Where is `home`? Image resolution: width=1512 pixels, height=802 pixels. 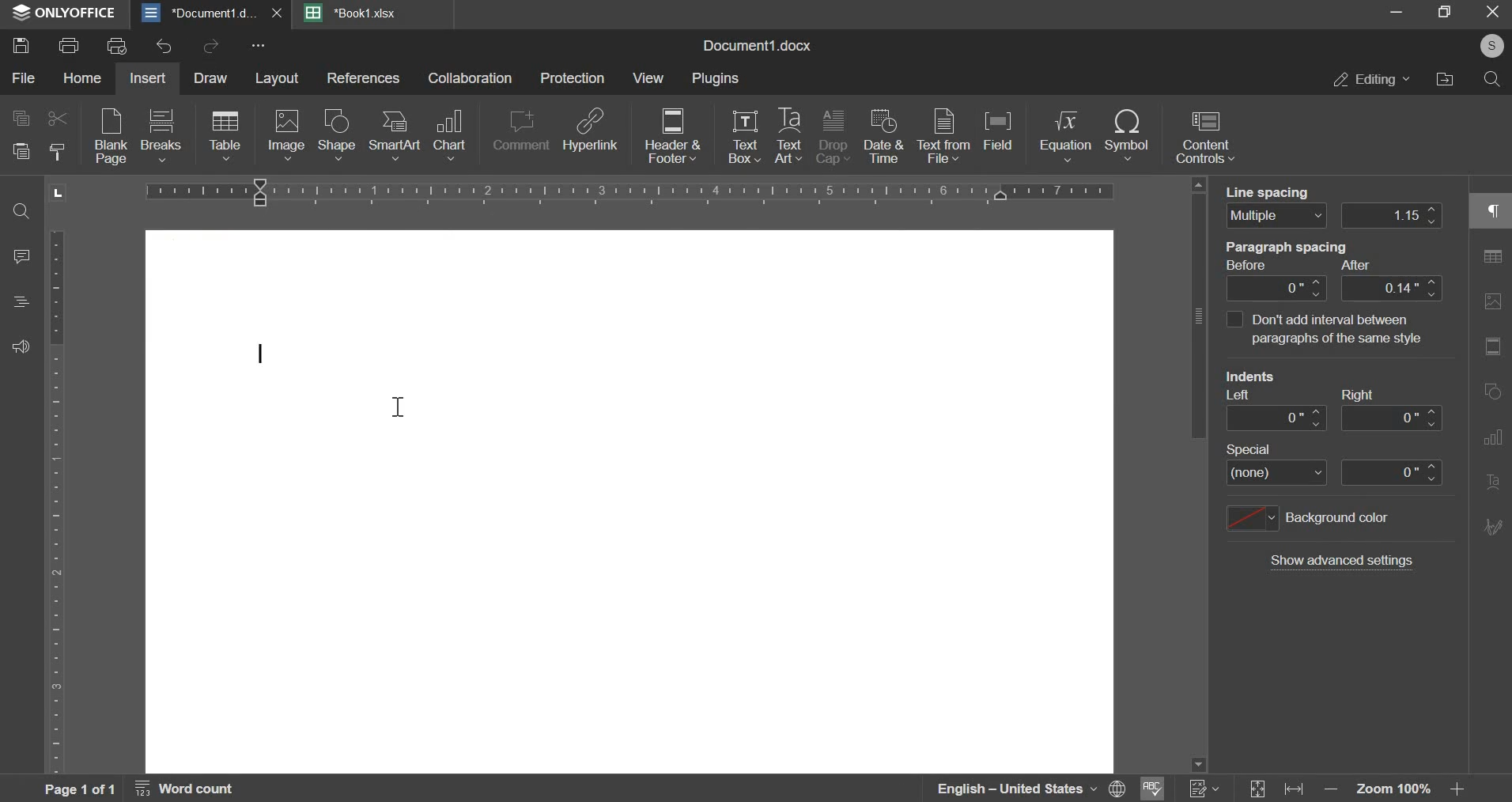
home is located at coordinates (81, 78).